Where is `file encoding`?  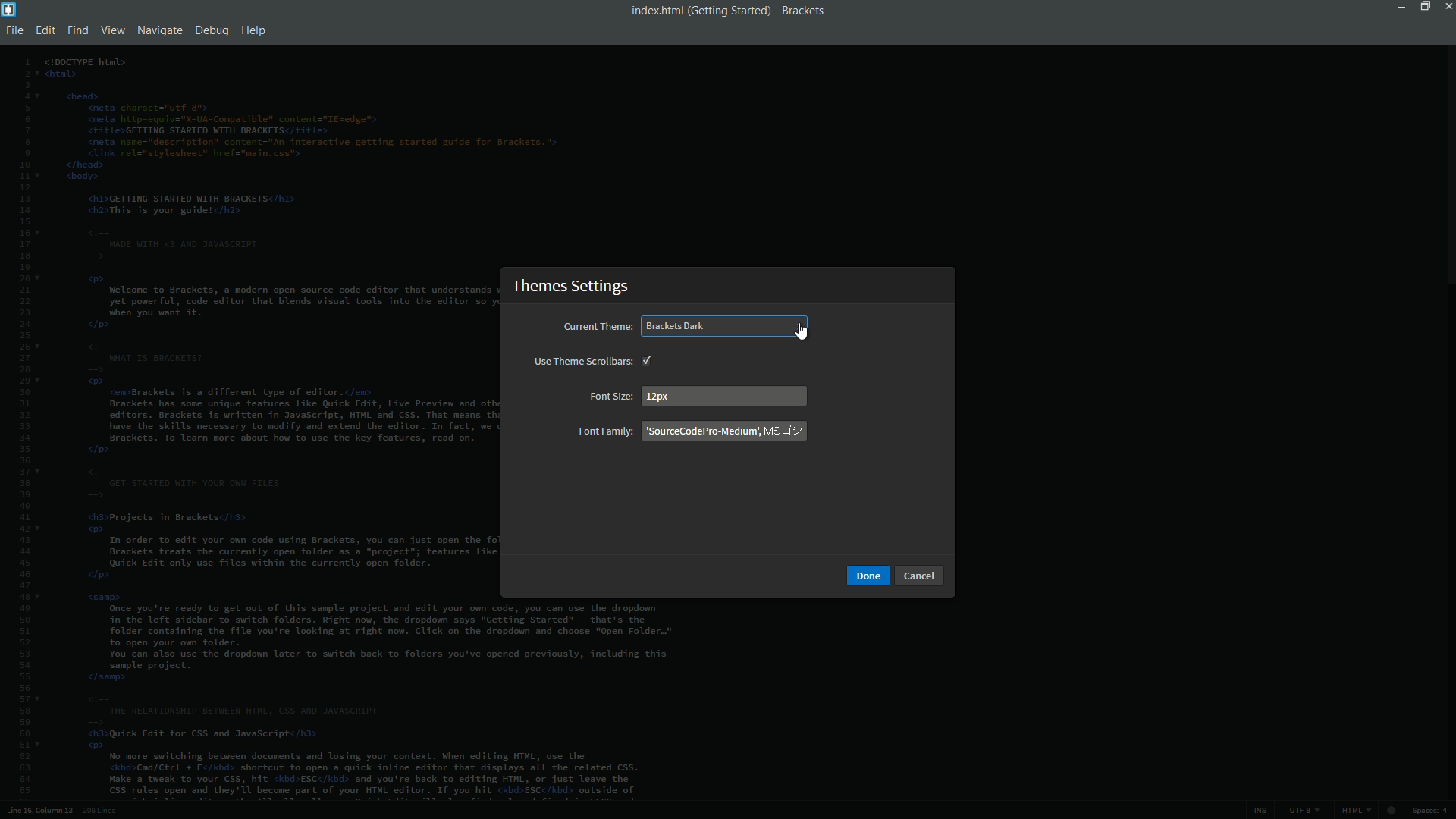 file encoding is located at coordinates (1304, 811).